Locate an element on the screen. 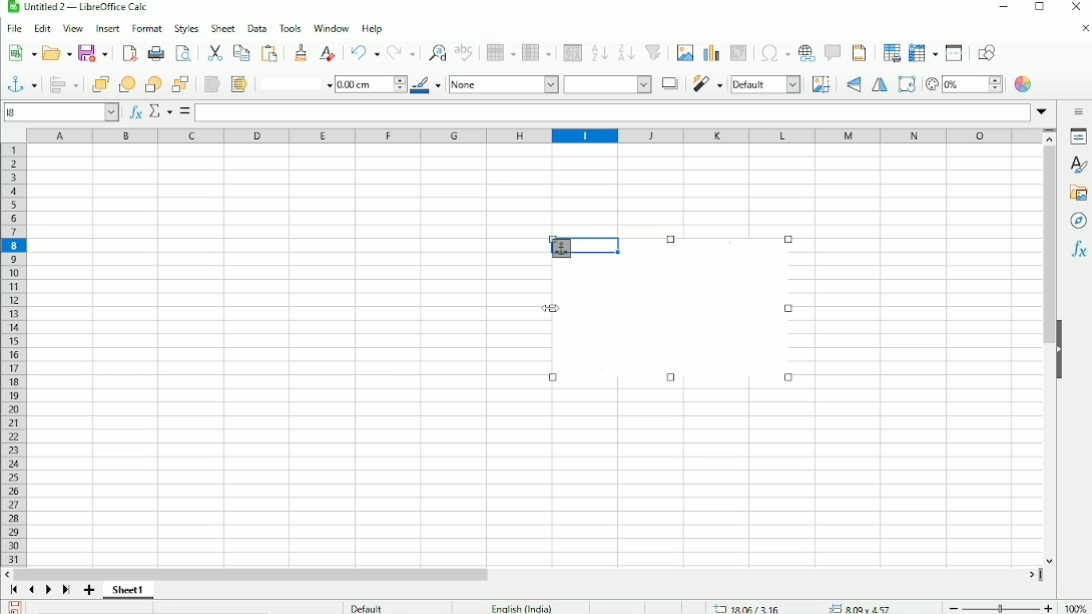 Image resolution: width=1092 pixels, height=614 pixels. cell selected is located at coordinates (583, 246).